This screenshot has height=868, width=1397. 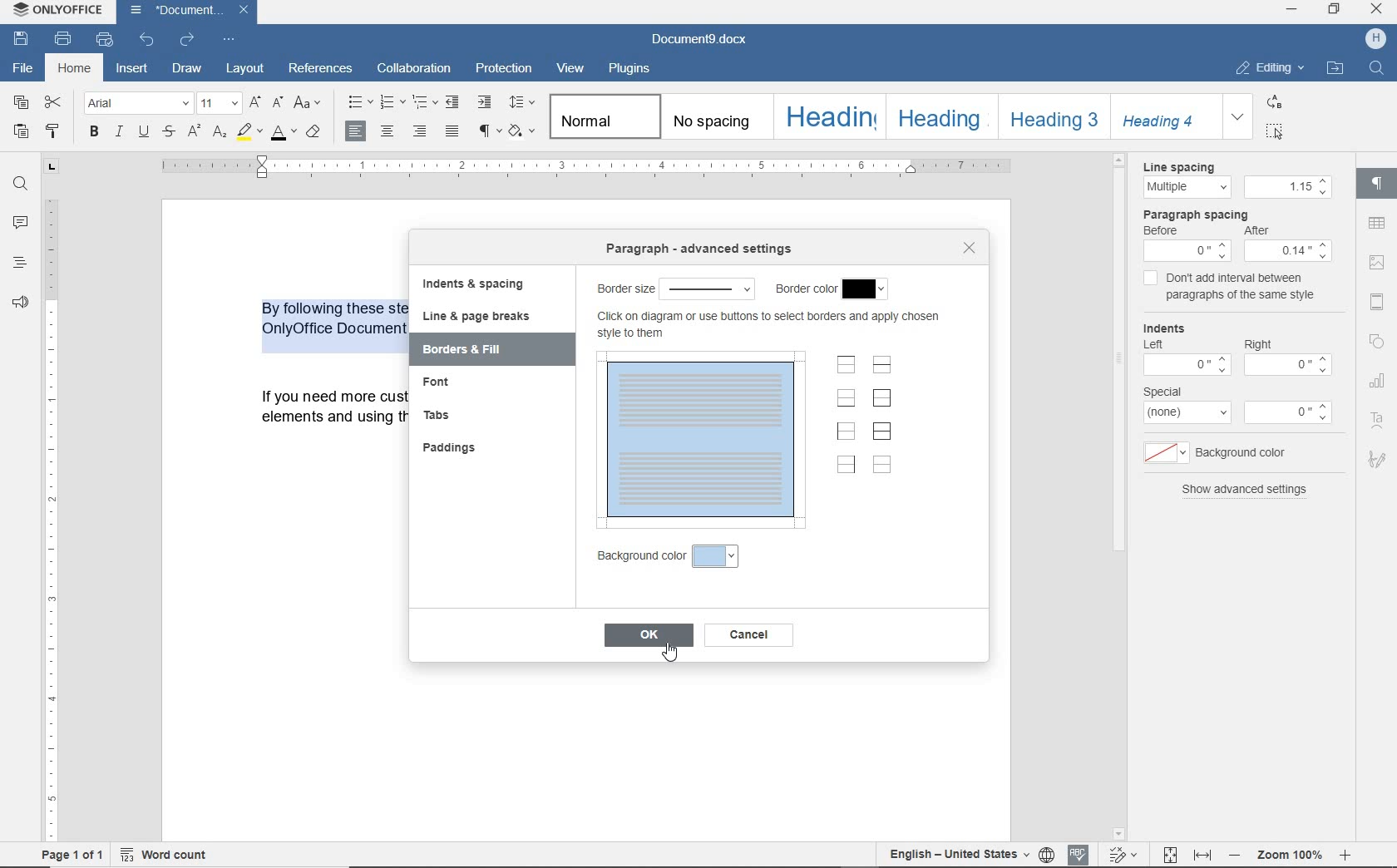 I want to click on set left border only, so click(x=845, y=432).